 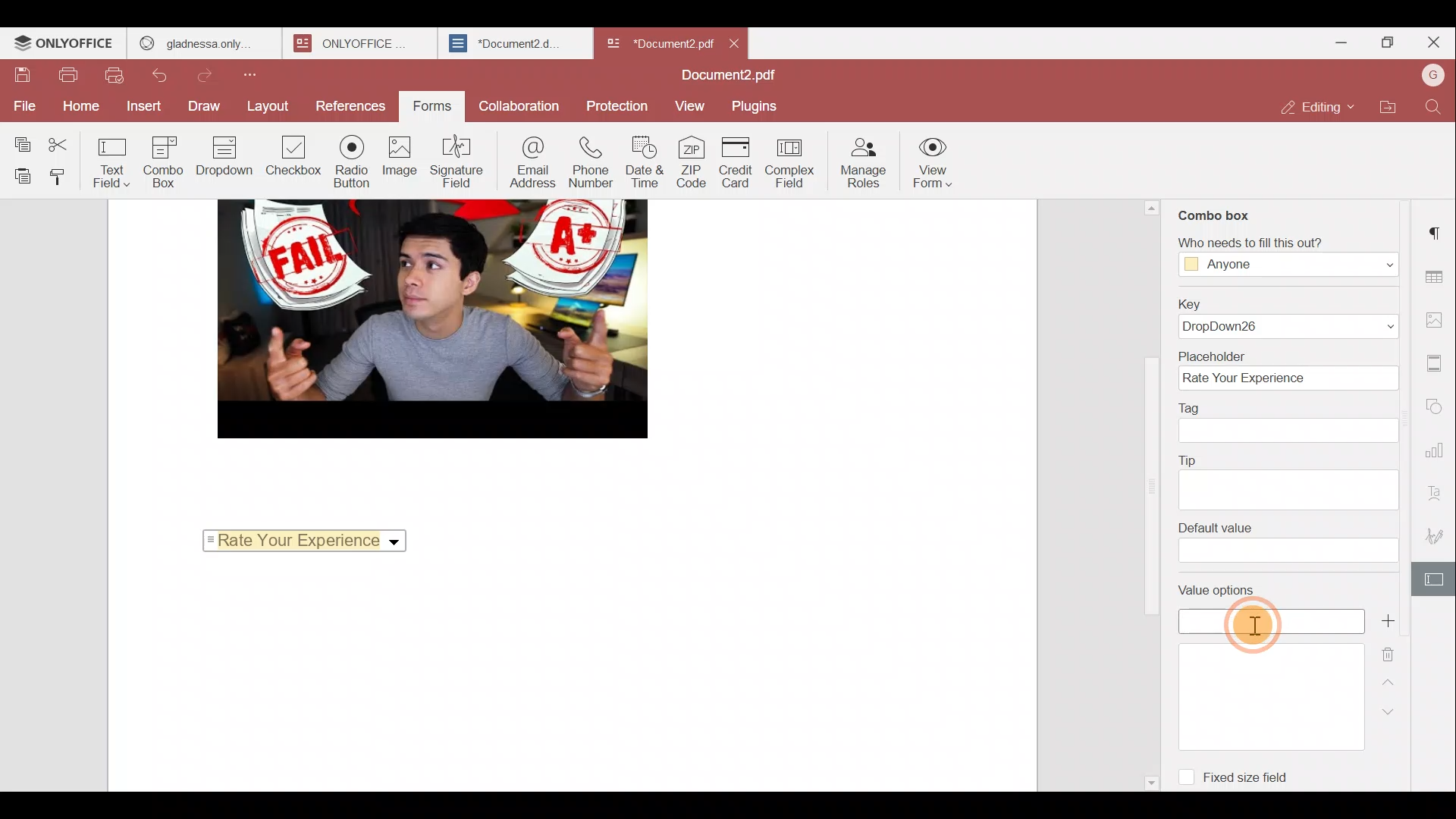 I want to click on Default value, so click(x=1287, y=542).